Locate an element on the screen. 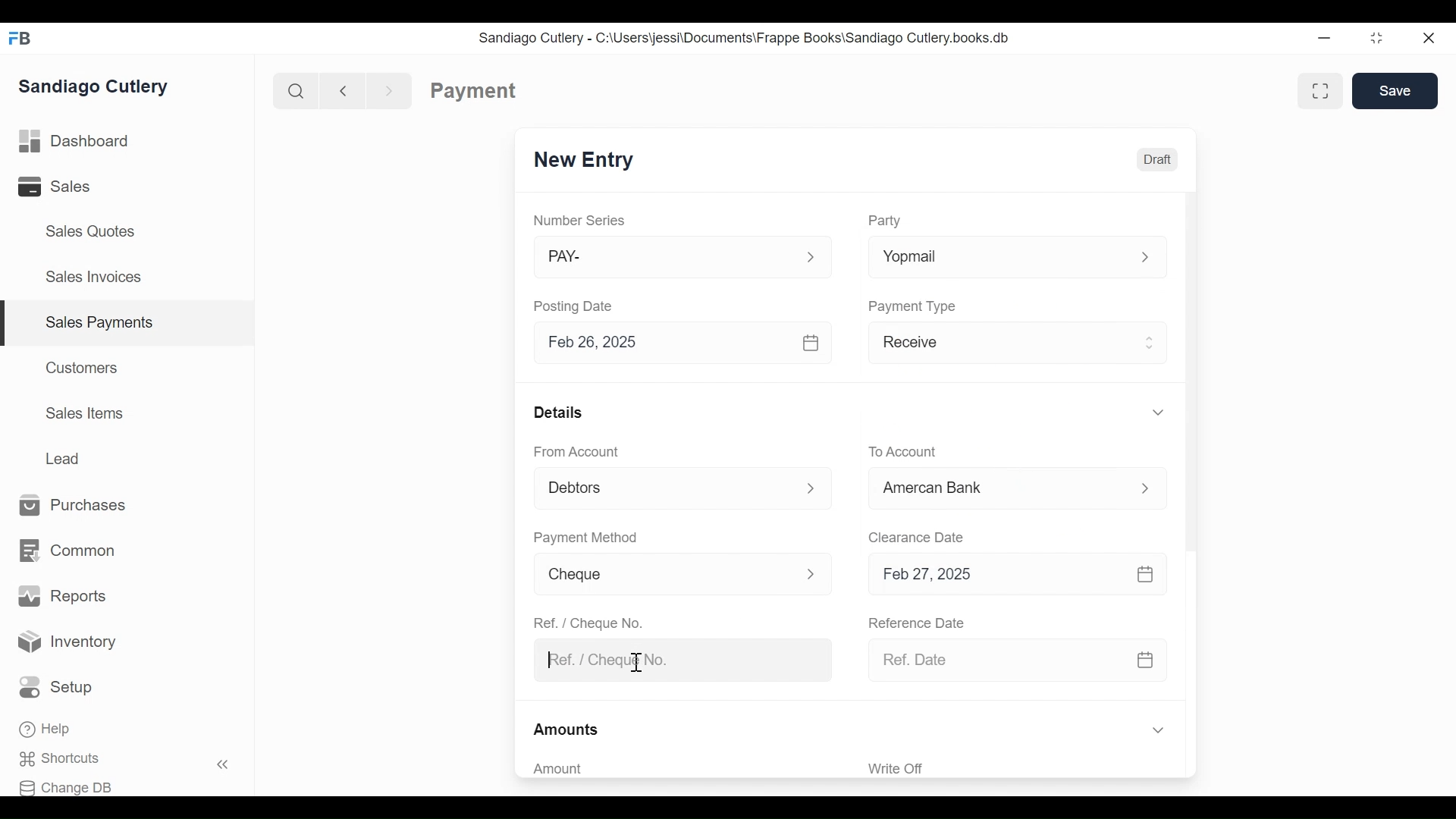 Image resolution: width=1456 pixels, height=819 pixels. Receive is located at coordinates (997, 345).